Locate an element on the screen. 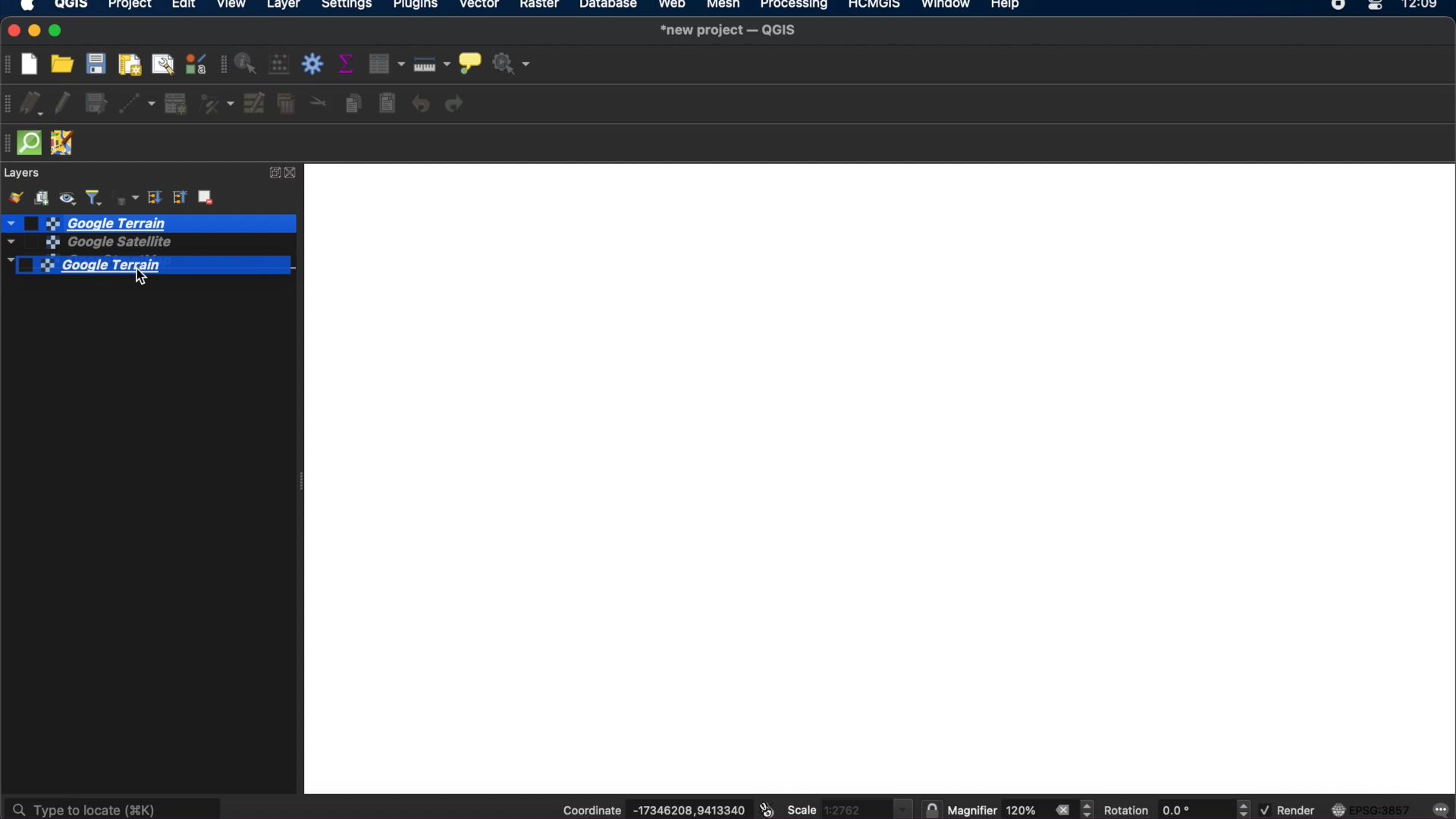 This screenshot has height=819, width=1456. open attribute table is located at coordinates (389, 64).